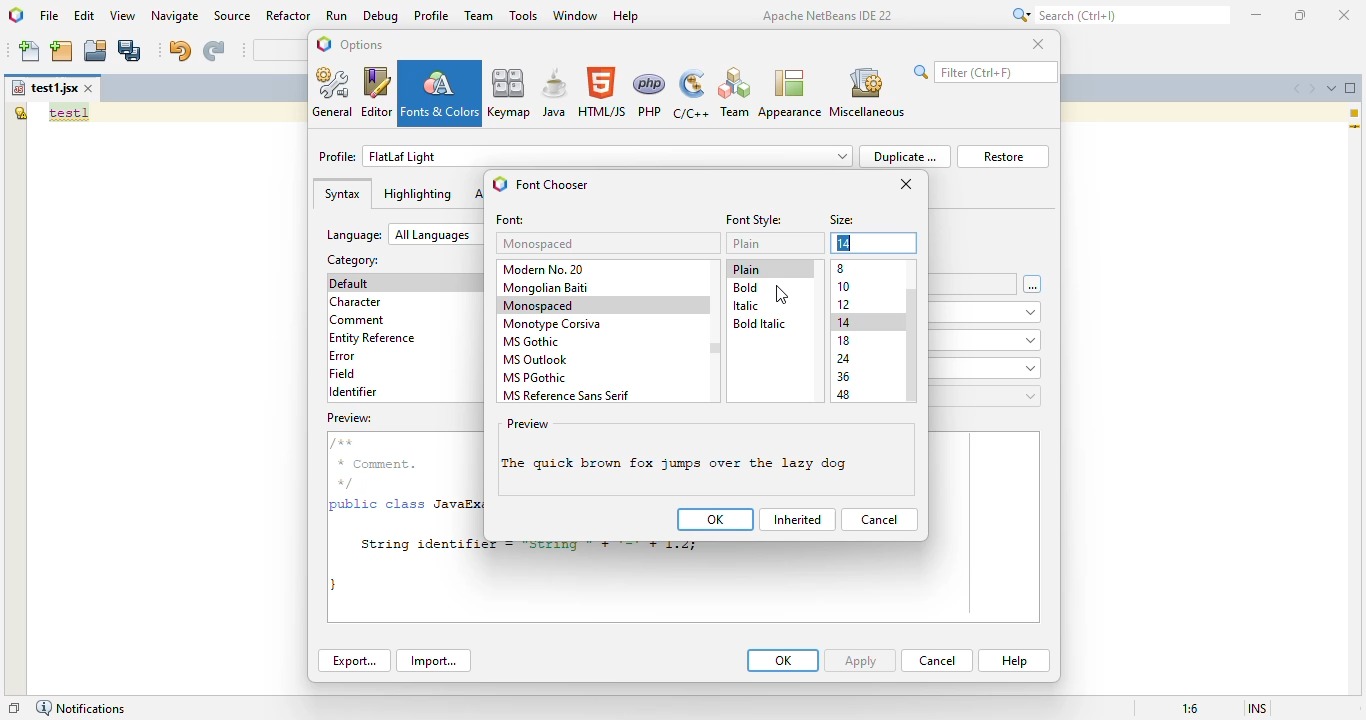 This screenshot has width=1366, height=720. I want to click on .., so click(1033, 285).